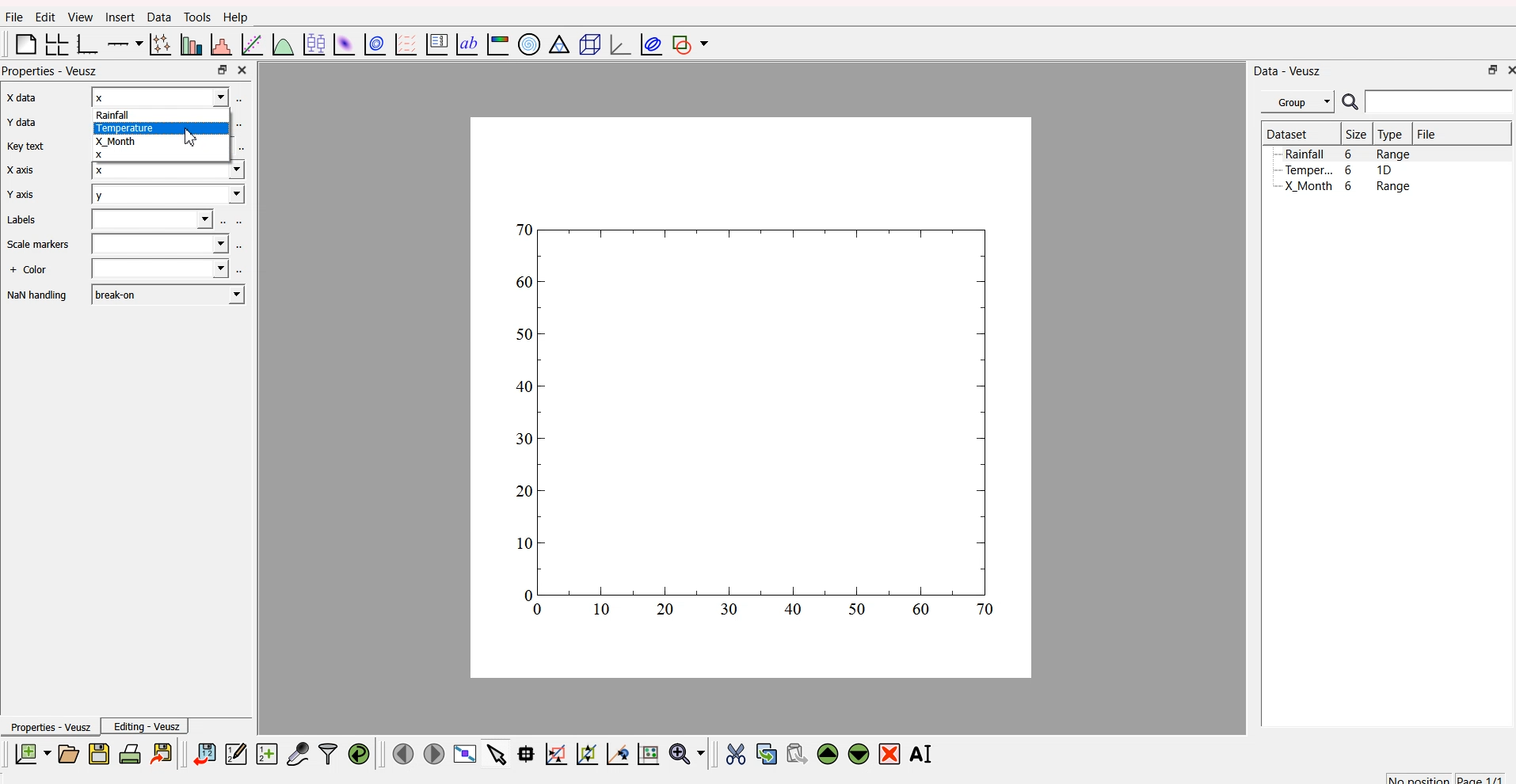  I want to click on cut the widget, so click(734, 753).